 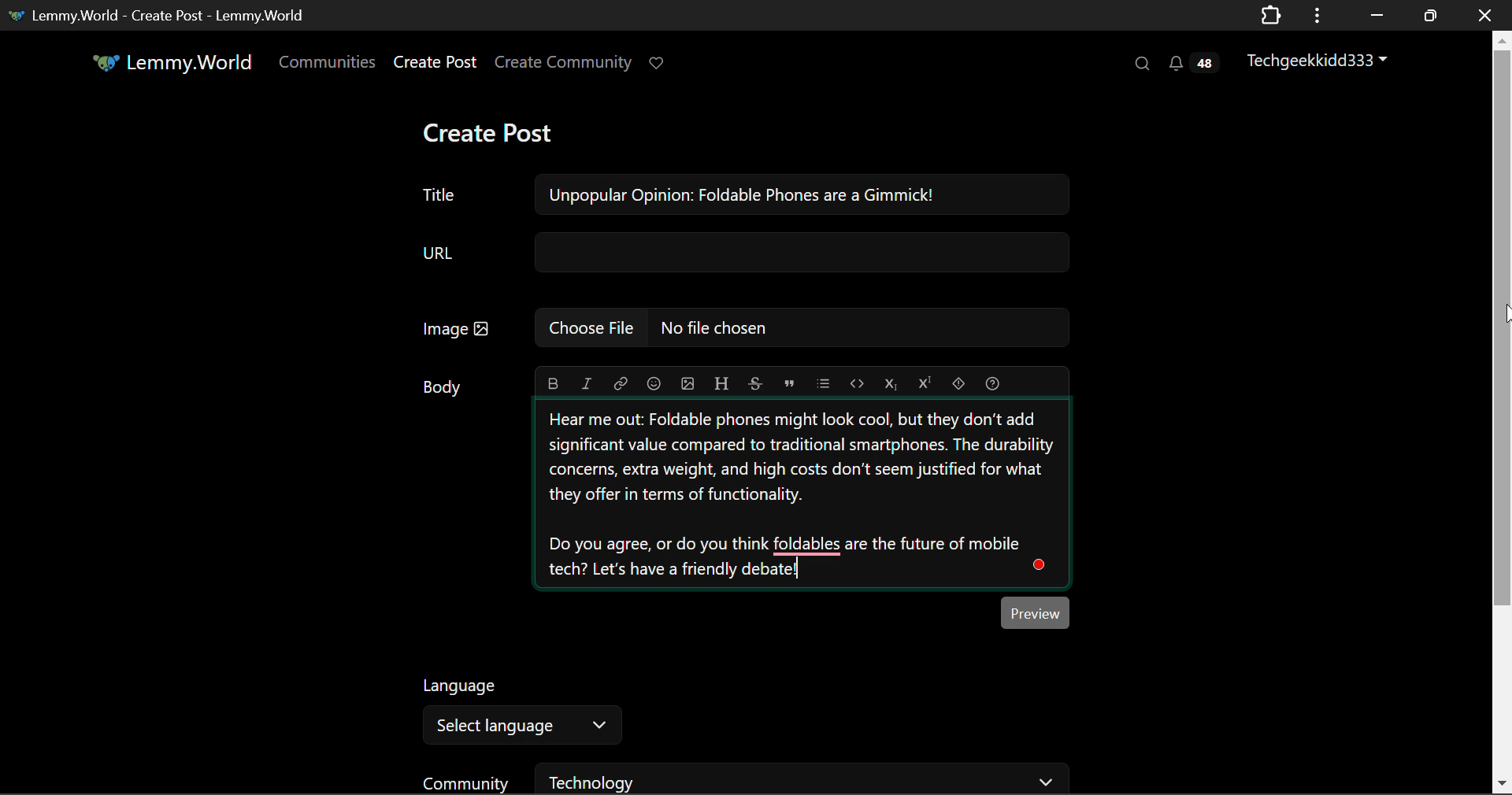 I want to click on Unpopular Opinion Explained, so click(x=802, y=494).